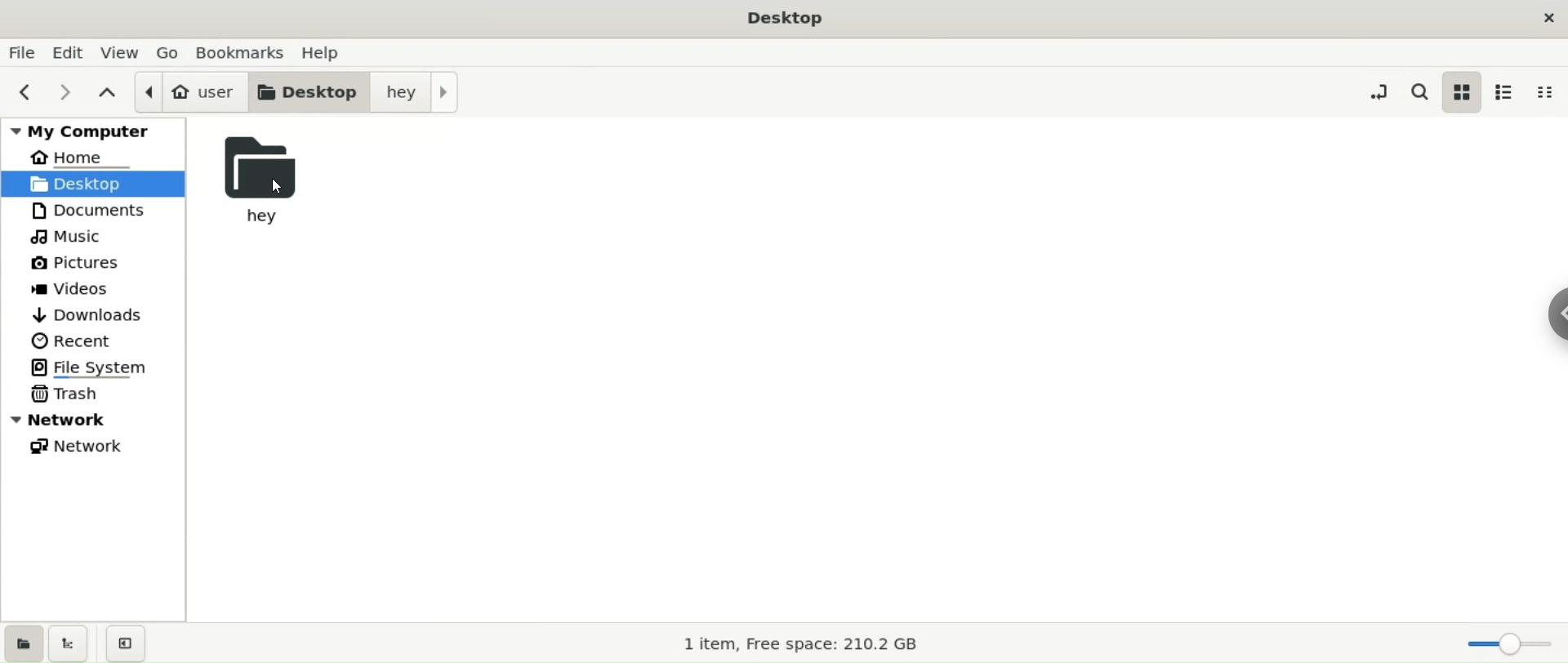  Describe the element at coordinates (24, 51) in the screenshot. I see `file` at that location.